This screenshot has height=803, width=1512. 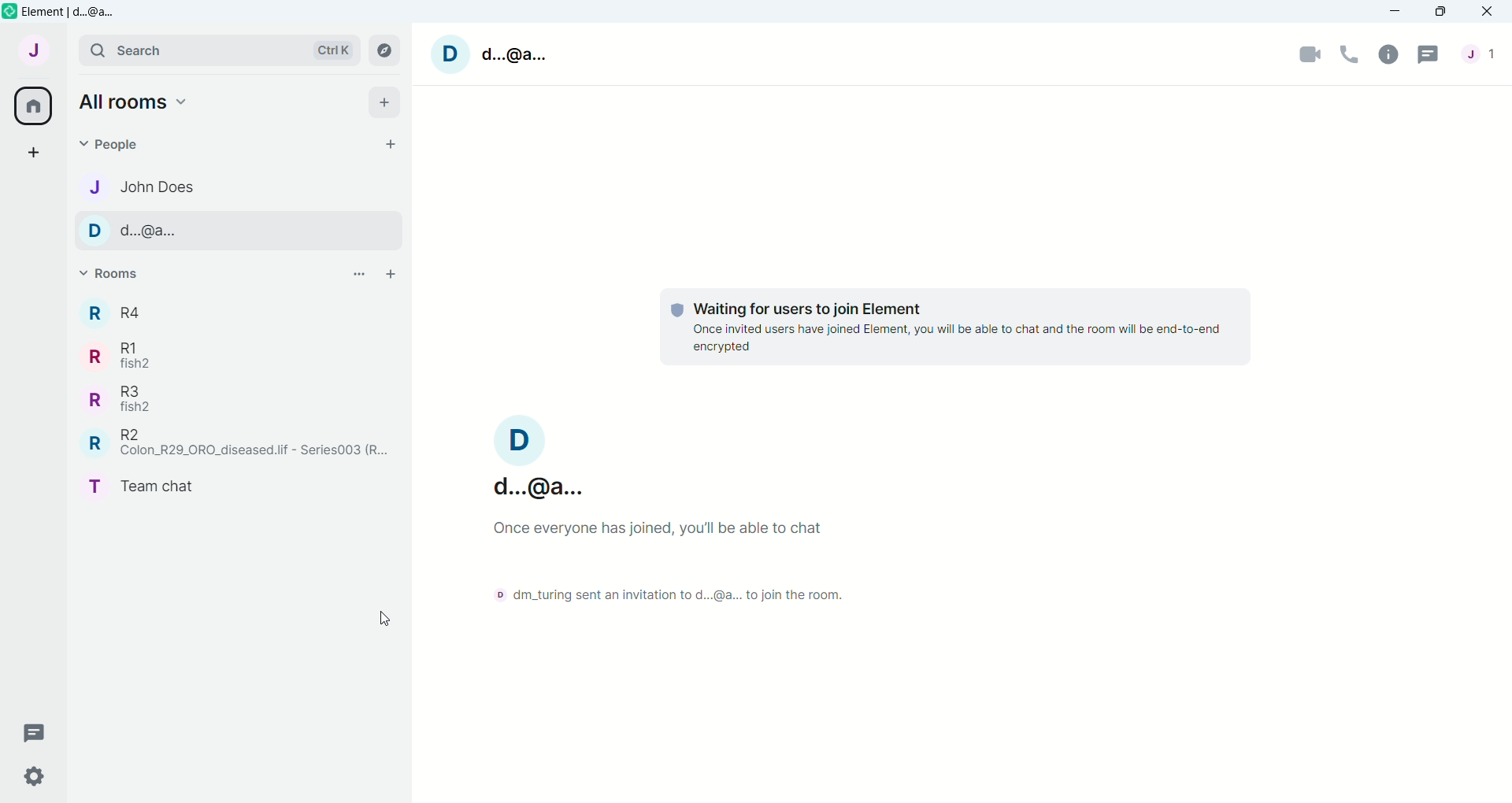 What do you see at coordinates (523, 439) in the screenshot?
I see `D` at bounding box center [523, 439].